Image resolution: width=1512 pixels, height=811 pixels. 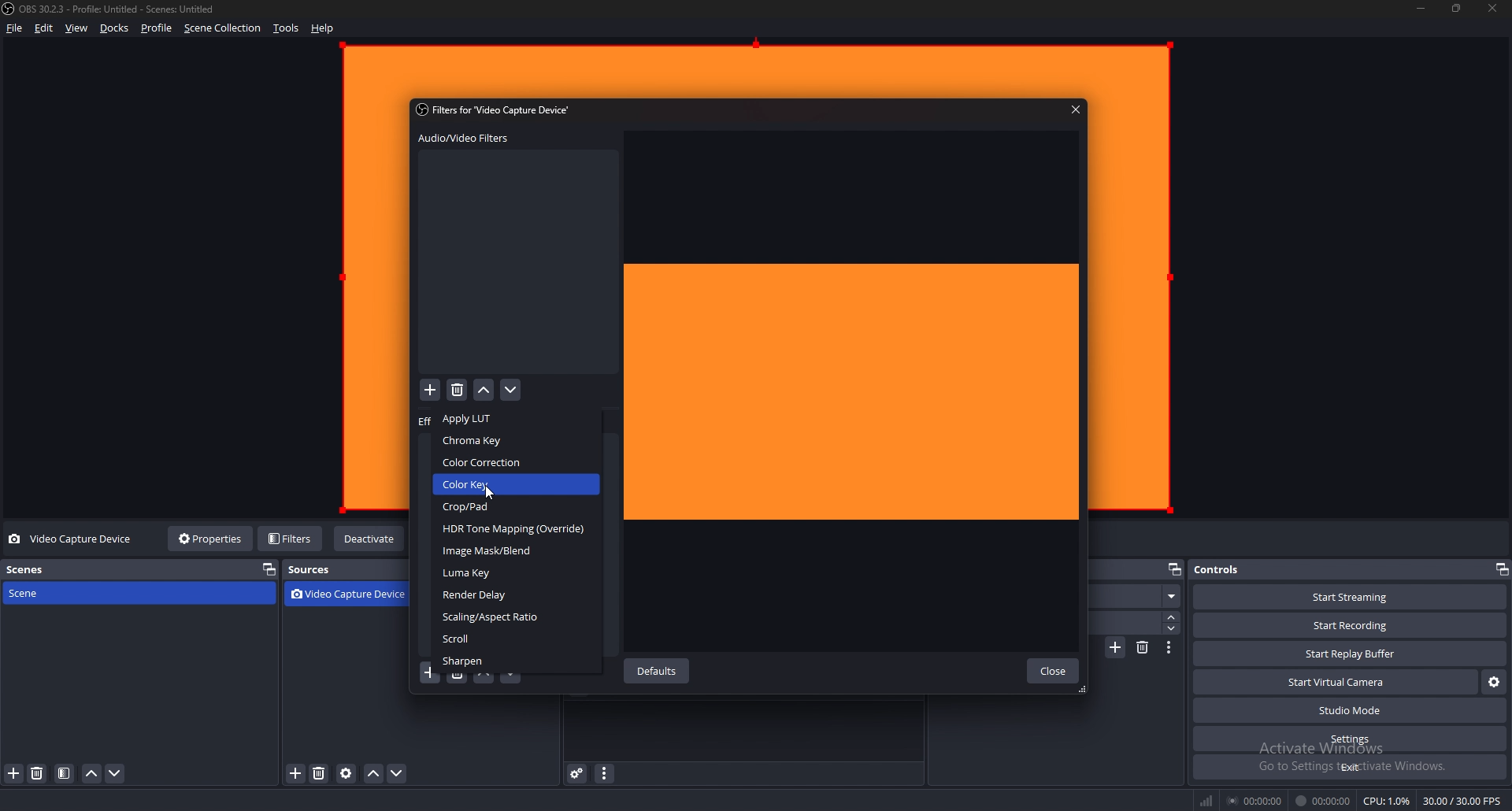 I want to click on chroma key, so click(x=515, y=439).